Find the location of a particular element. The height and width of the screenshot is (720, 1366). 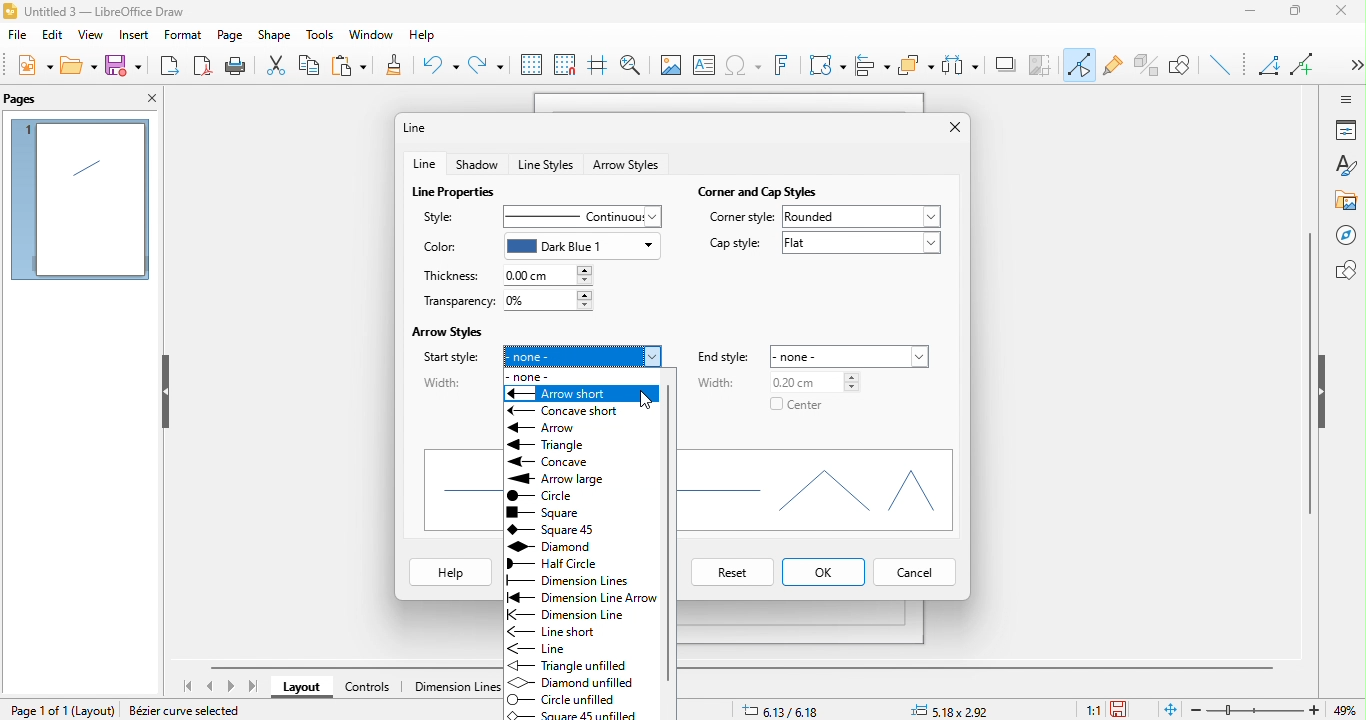

Angled line is located at coordinates (1272, 68).